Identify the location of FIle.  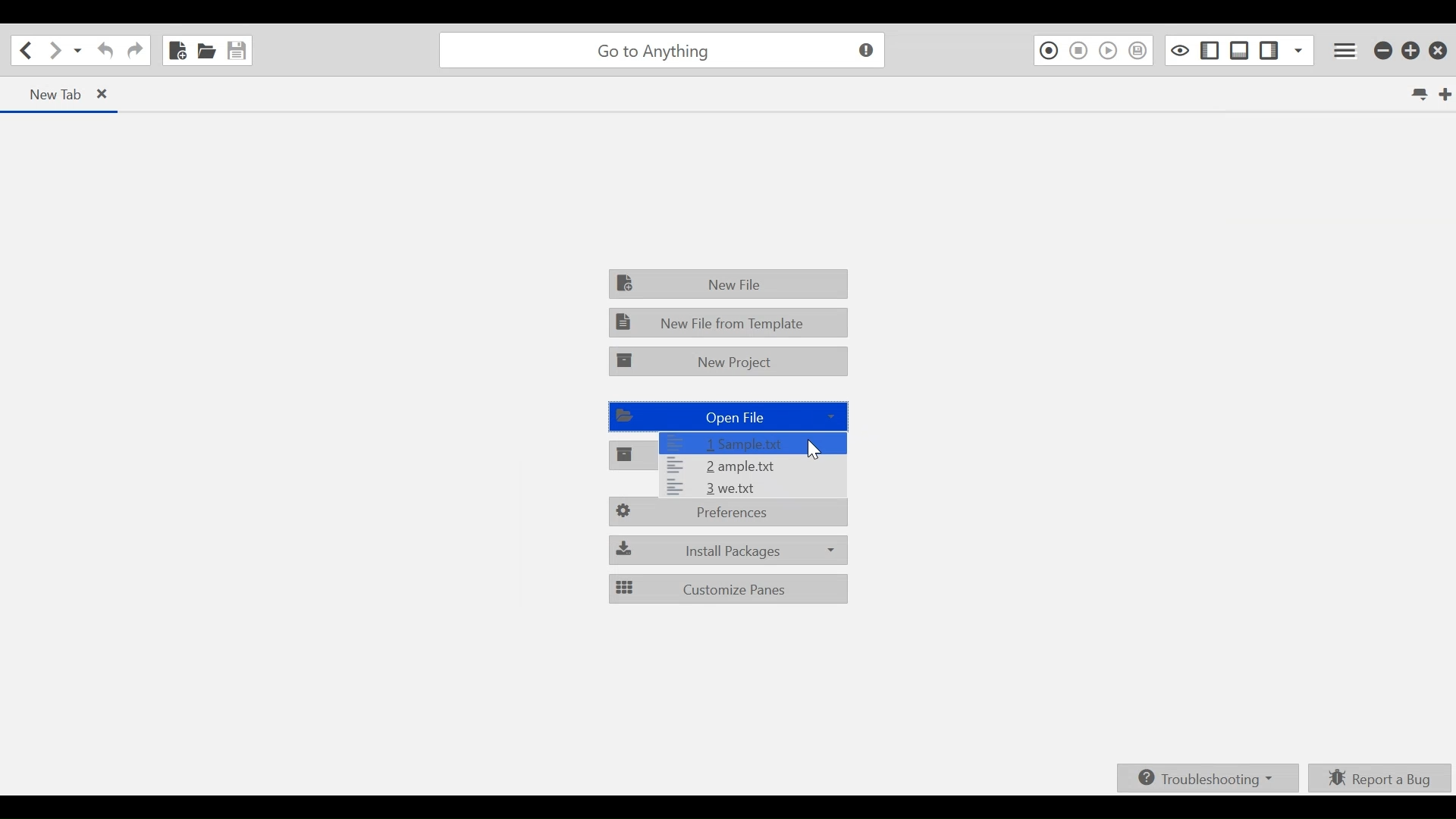
(755, 442).